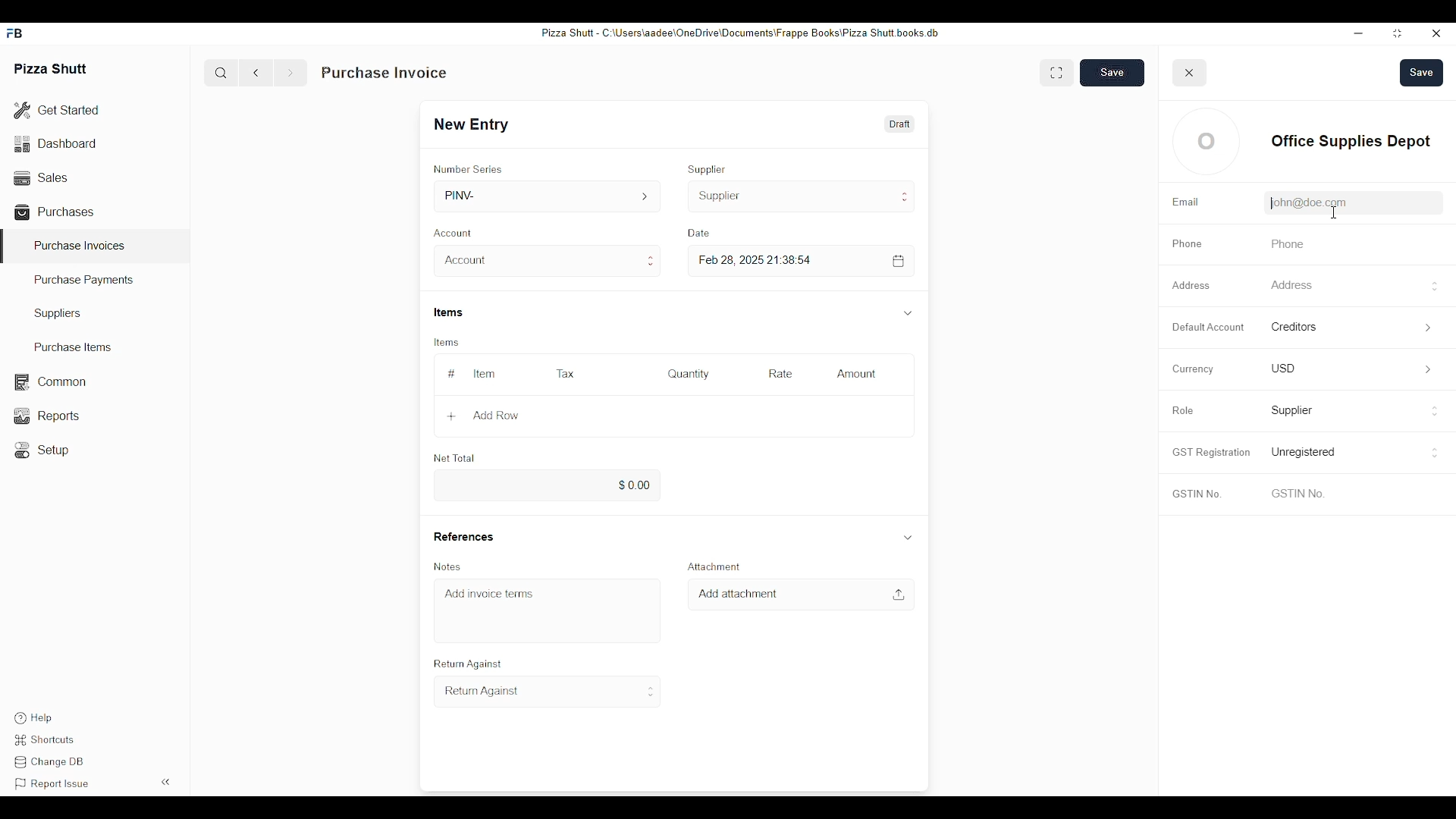 Image resolution: width=1456 pixels, height=819 pixels. Describe the element at coordinates (758, 260) in the screenshot. I see `Feb 28, 2025 21:38:54` at that location.